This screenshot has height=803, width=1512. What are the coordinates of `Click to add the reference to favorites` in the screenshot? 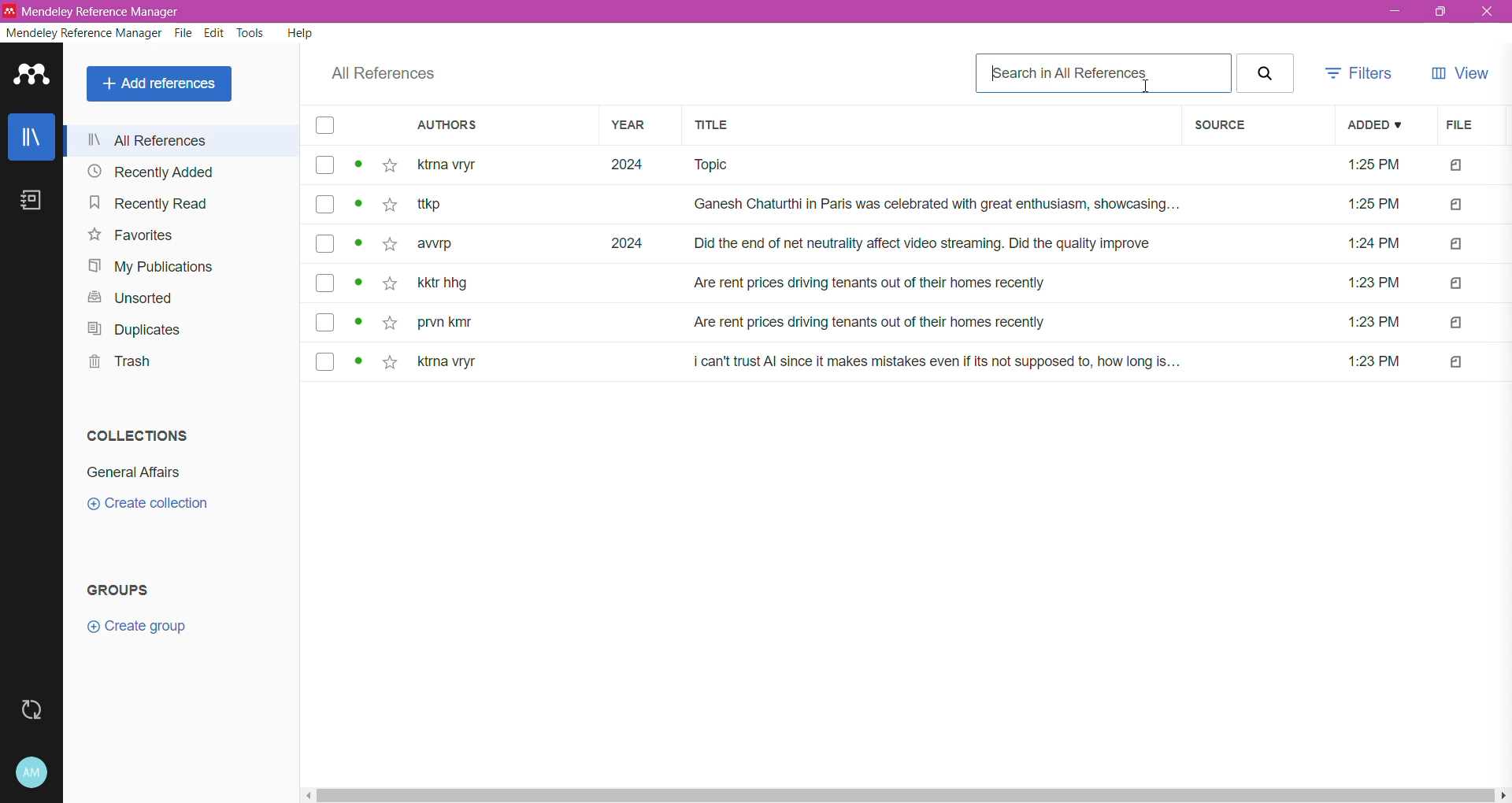 It's located at (390, 167).